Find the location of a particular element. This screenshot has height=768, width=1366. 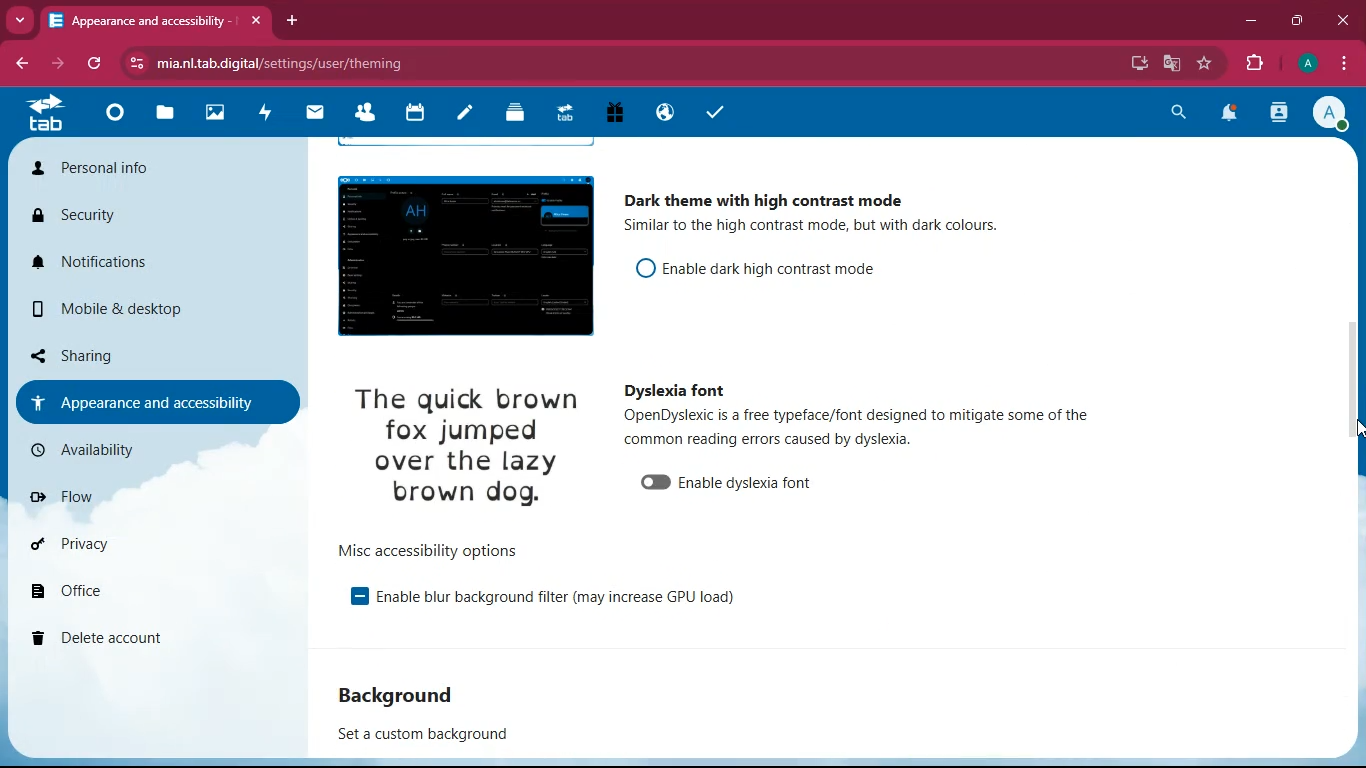

off is located at coordinates (638, 268).